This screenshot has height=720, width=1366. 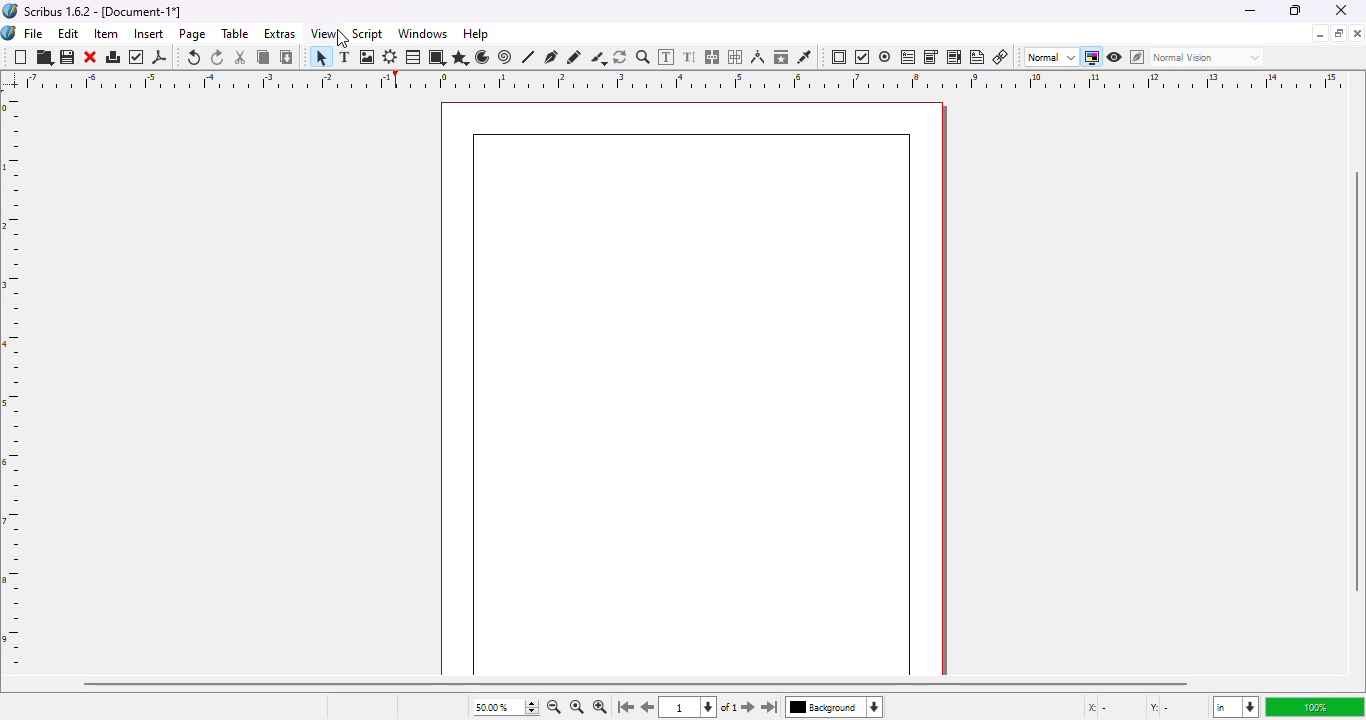 I want to click on item, so click(x=107, y=34).